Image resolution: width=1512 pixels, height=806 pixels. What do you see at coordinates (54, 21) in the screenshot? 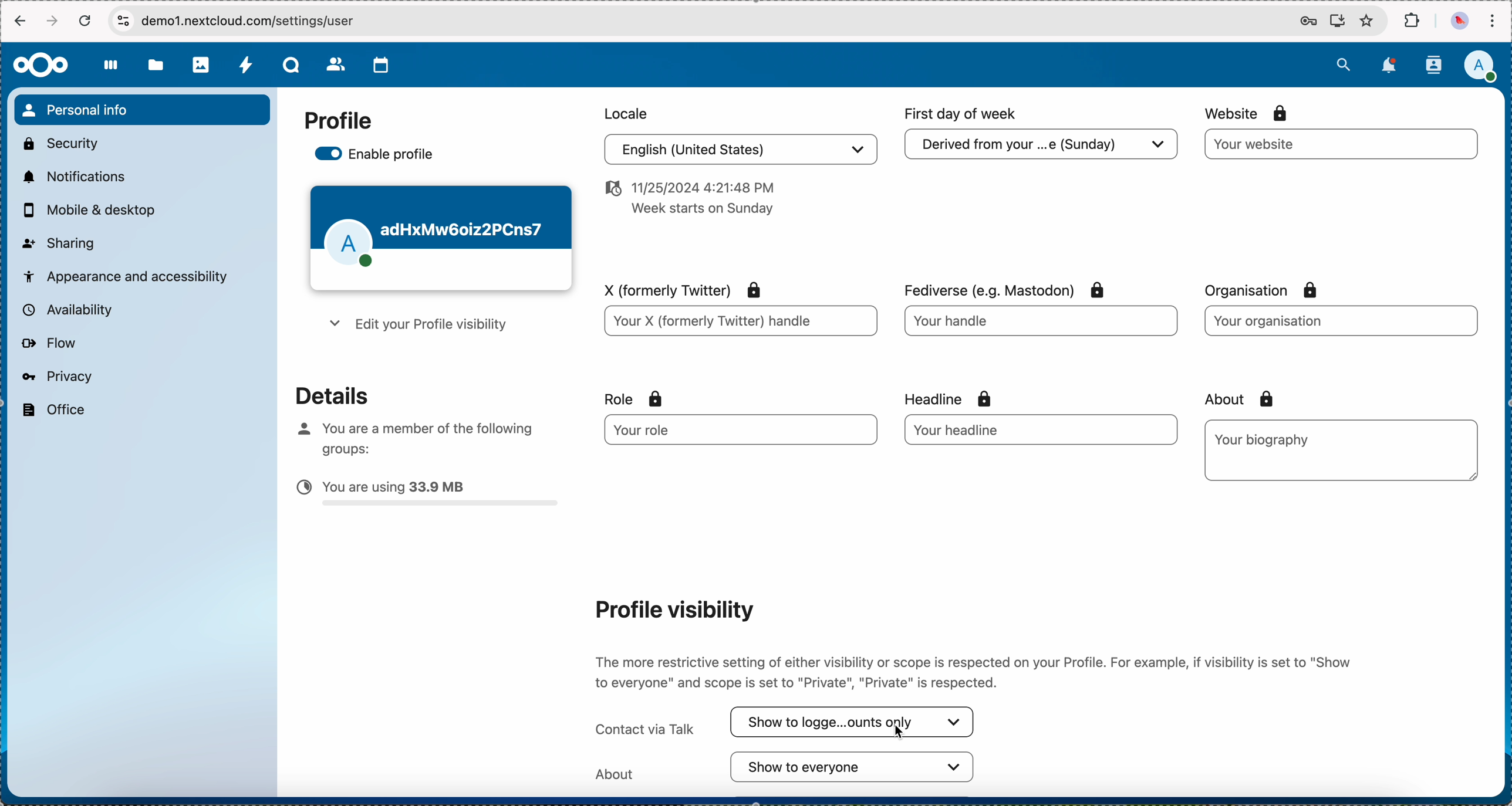
I see `navigate foward` at bounding box center [54, 21].